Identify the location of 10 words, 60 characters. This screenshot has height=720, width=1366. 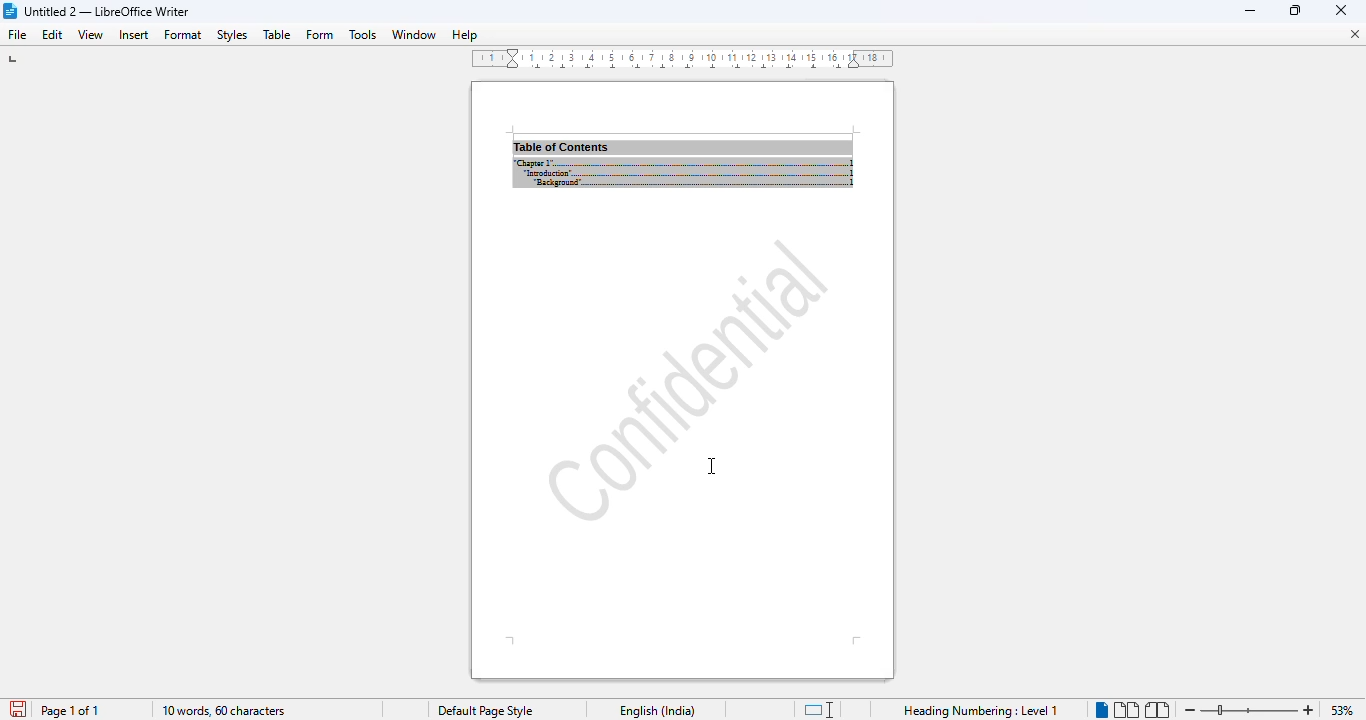
(224, 711).